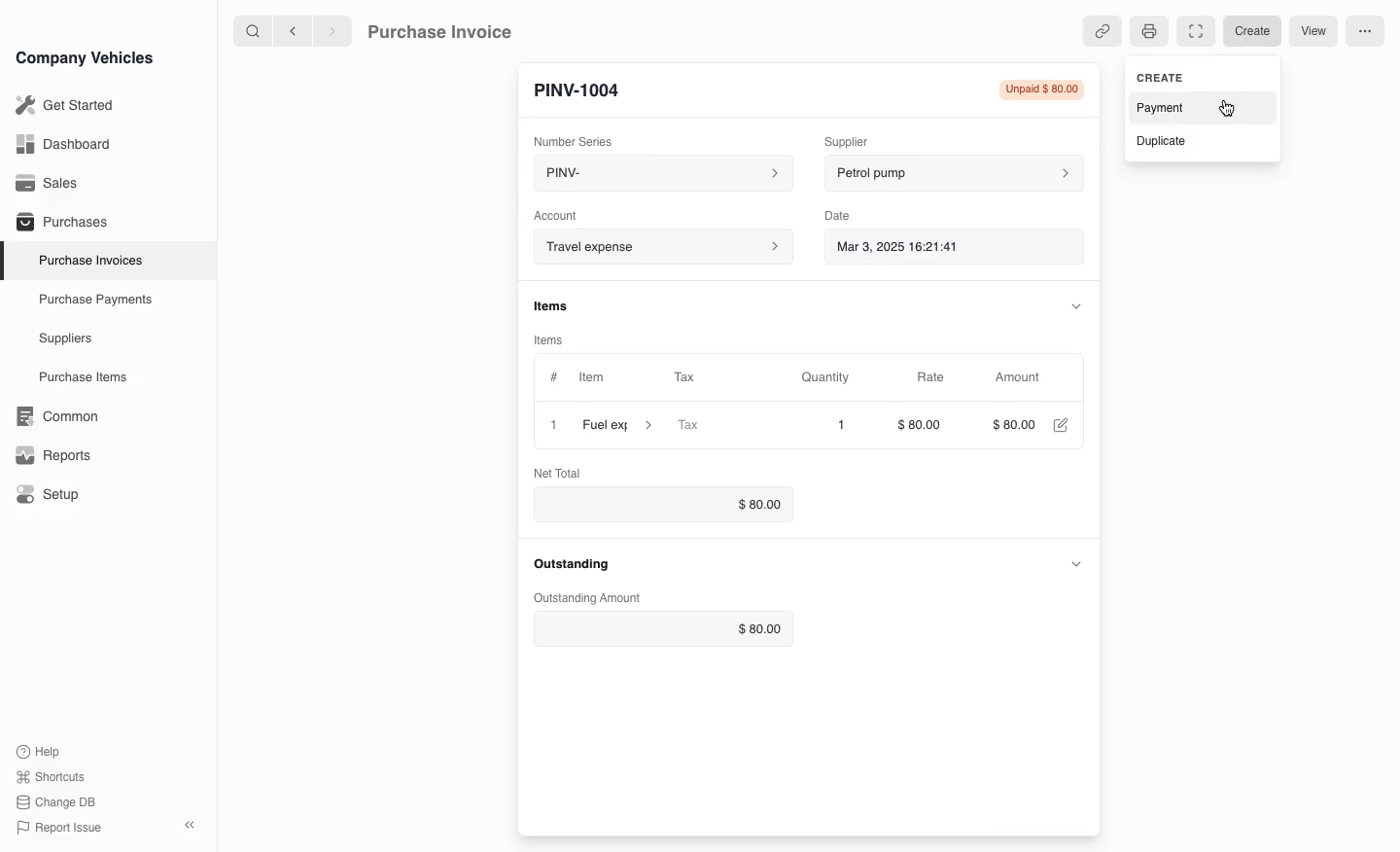  What do you see at coordinates (52, 495) in the screenshot?
I see `Setup` at bounding box center [52, 495].